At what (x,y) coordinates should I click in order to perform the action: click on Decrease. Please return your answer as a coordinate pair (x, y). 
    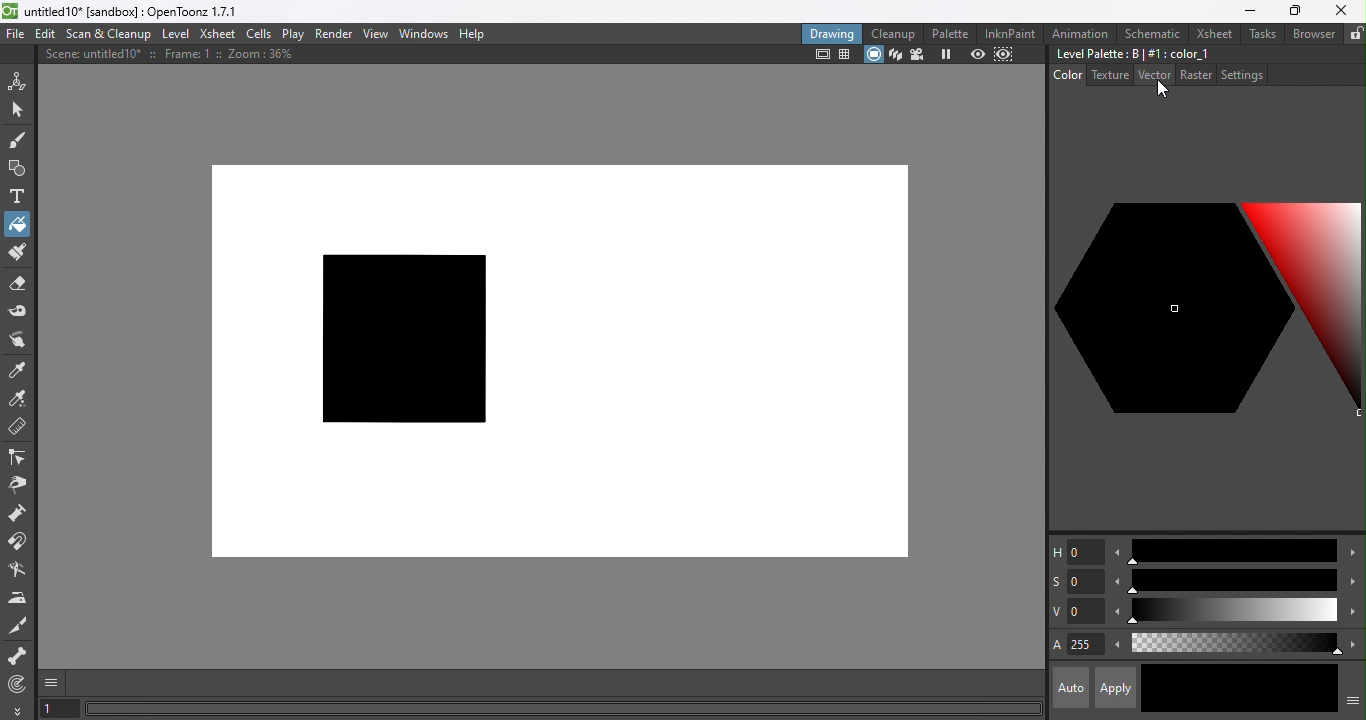
    Looking at the image, I should click on (1116, 647).